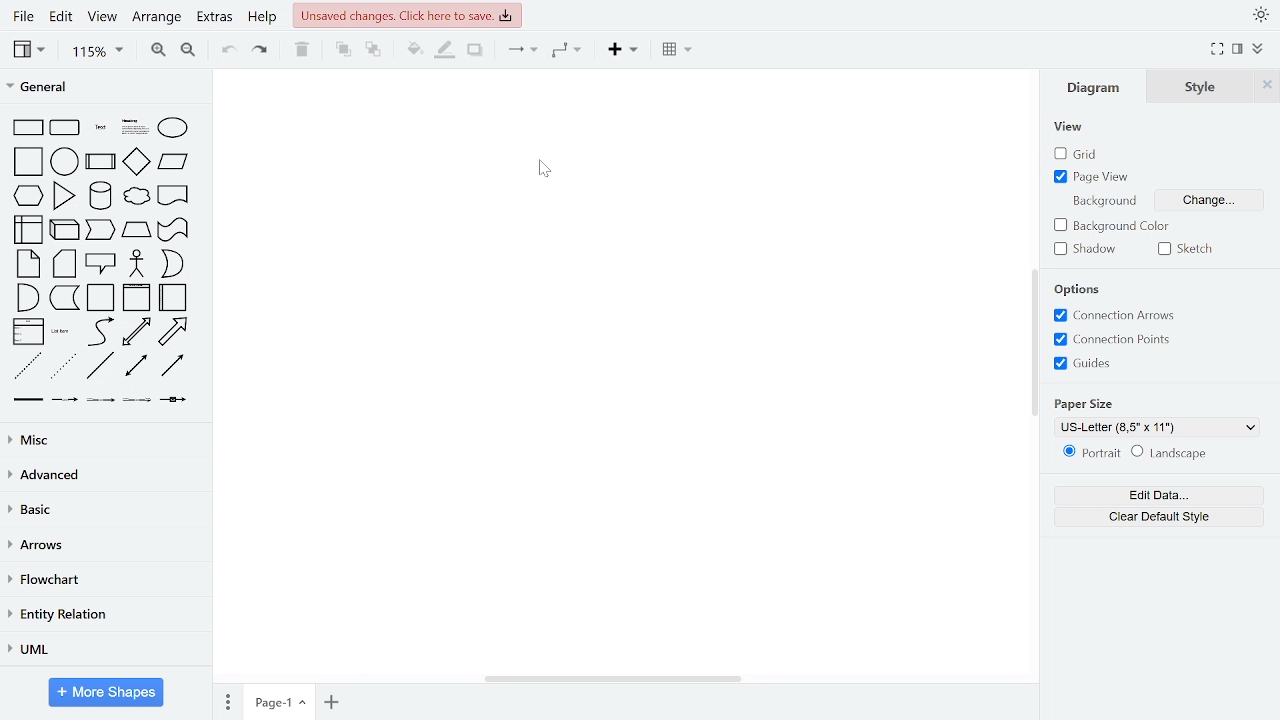 The height and width of the screenshot is (720, 1280). Describe the element at coordinates (618, 370) in the screenshot. I see `grid visibility removed` at that location.